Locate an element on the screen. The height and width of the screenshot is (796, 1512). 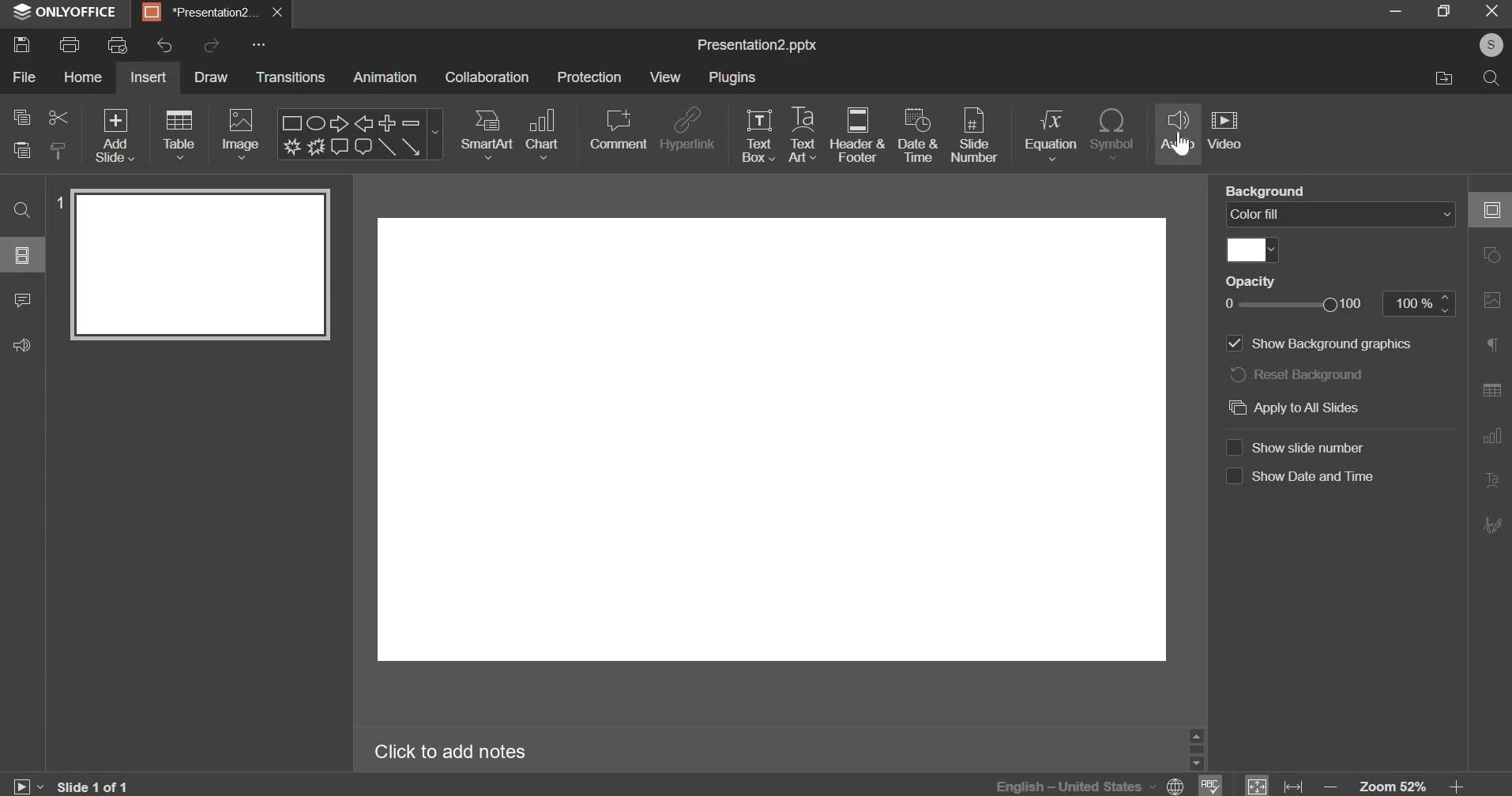
paragraph settings is located at coordinates (1491, 343).